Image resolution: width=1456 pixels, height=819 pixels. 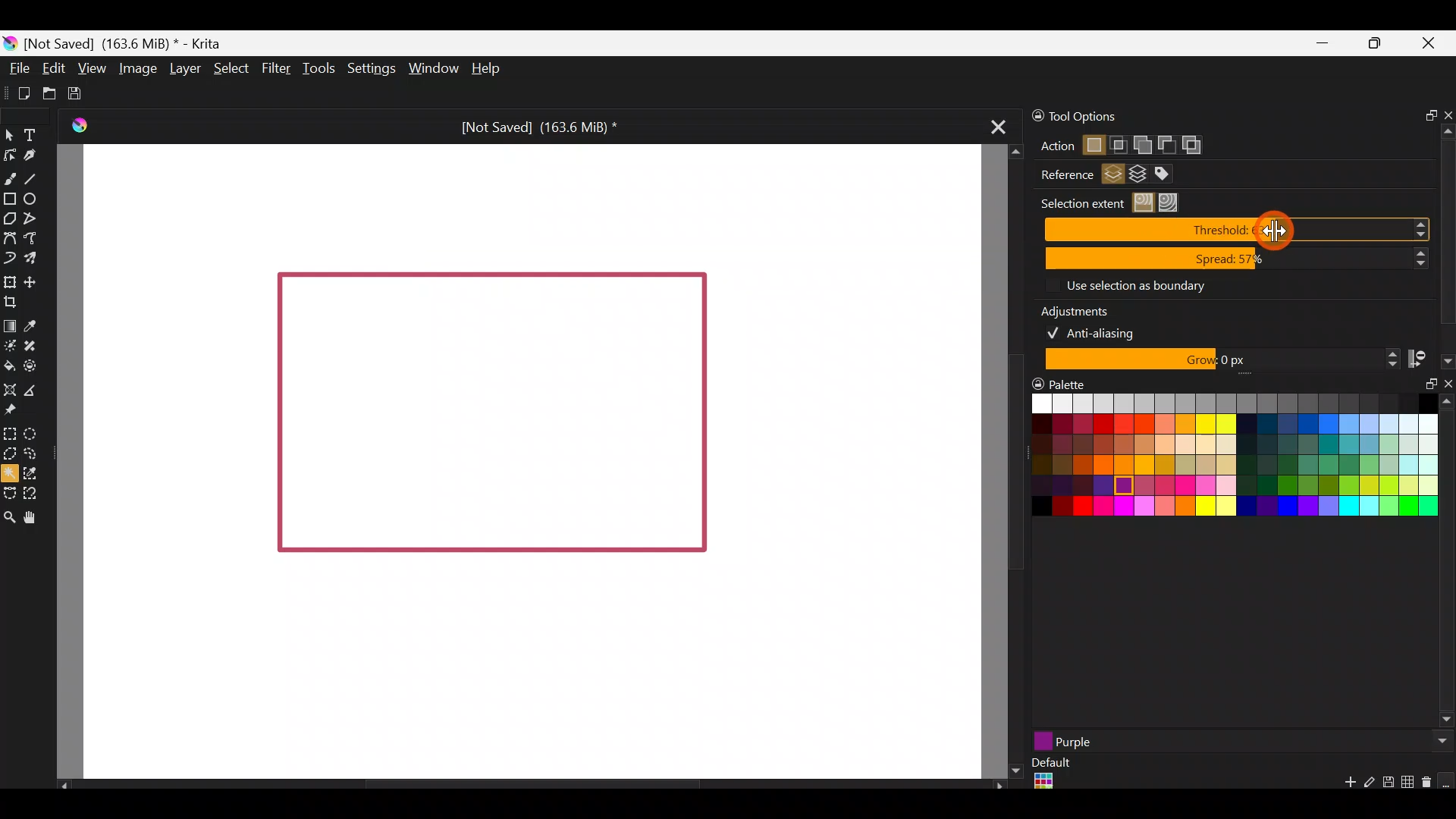 I want to click on Anti-aliasing, so click(x=1101, y=331).